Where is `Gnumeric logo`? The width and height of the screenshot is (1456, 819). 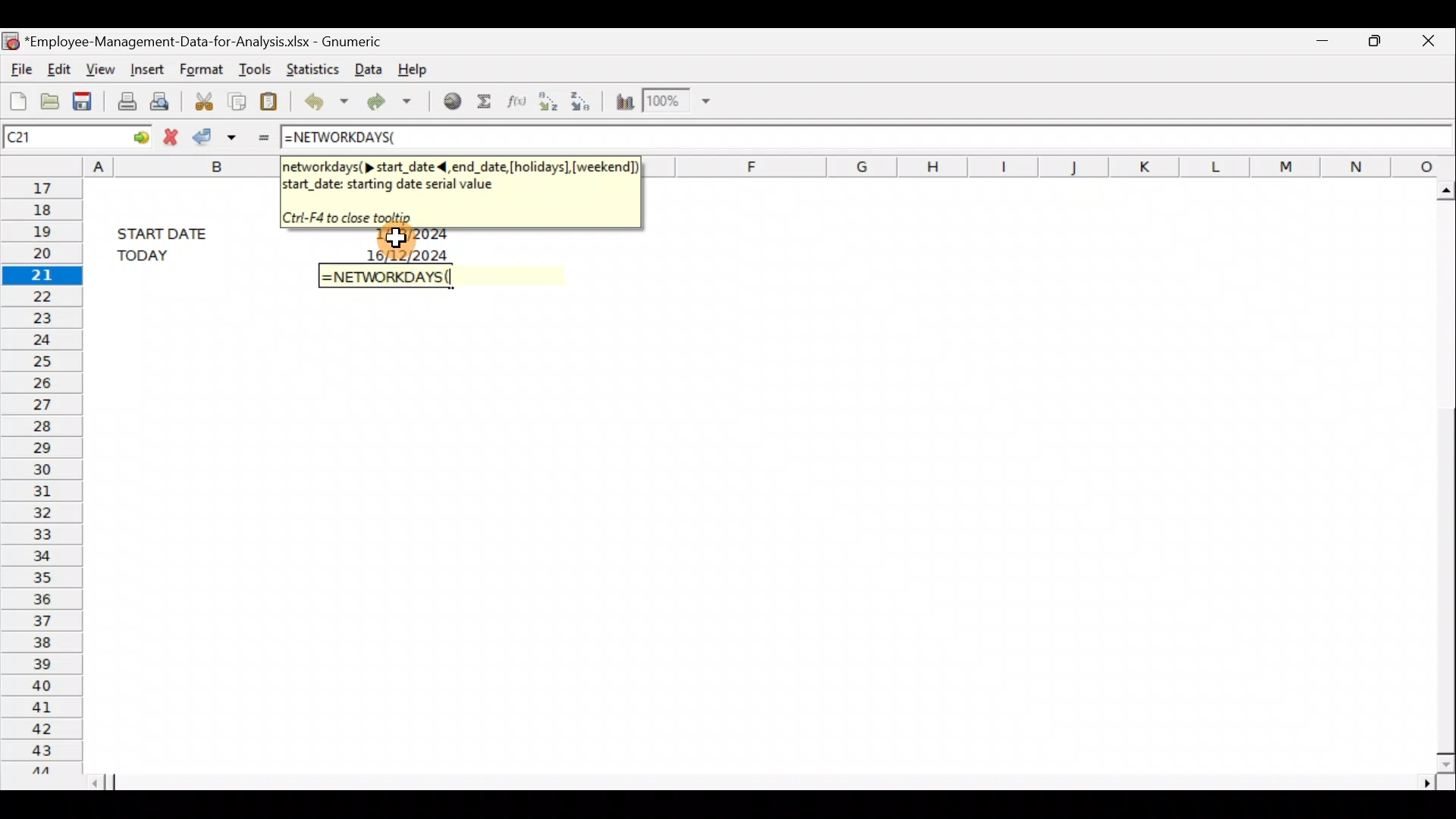
Gnumeric logo is located at coordinates (11, 39).